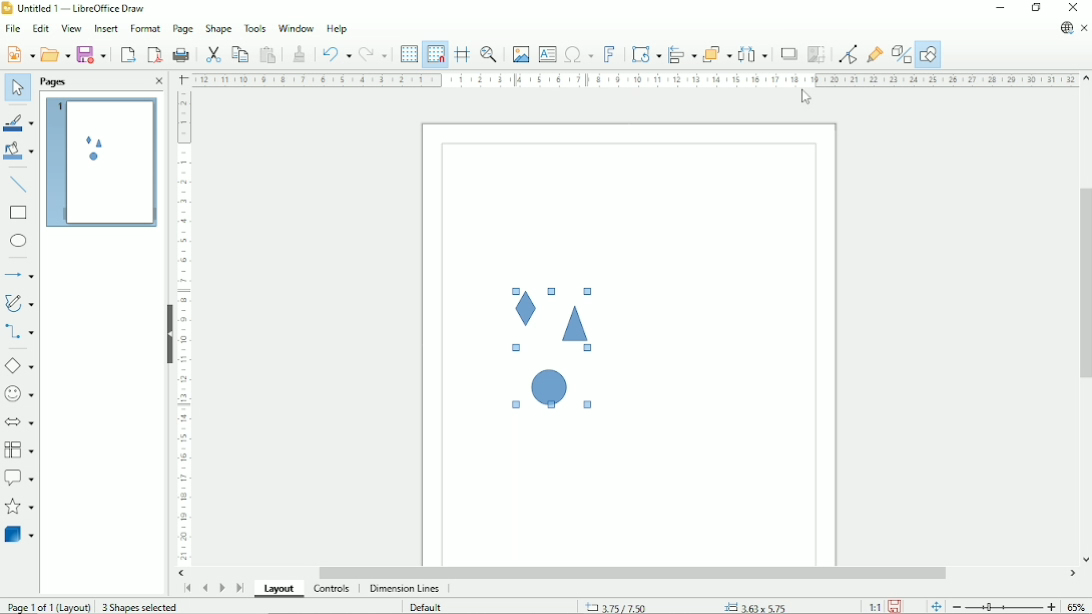  What do you see at coordinates (1036, 8) in the screenshot?
I see `Restore down` at bounding box center [1036, 8].